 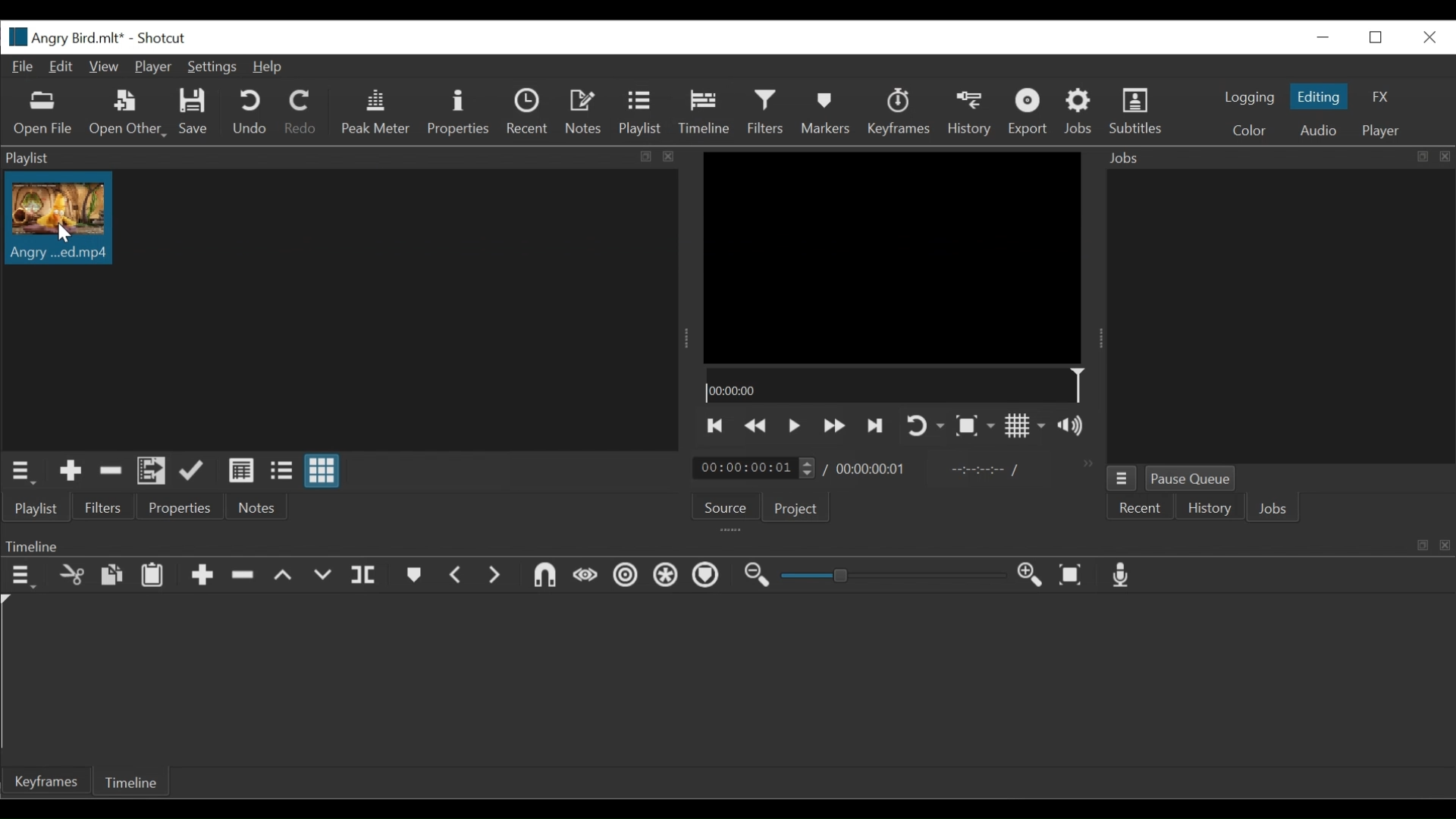 What do you see at coordinates (413, 576) in the screenshot?
I see `Markers` at bounding box center [413, 576].